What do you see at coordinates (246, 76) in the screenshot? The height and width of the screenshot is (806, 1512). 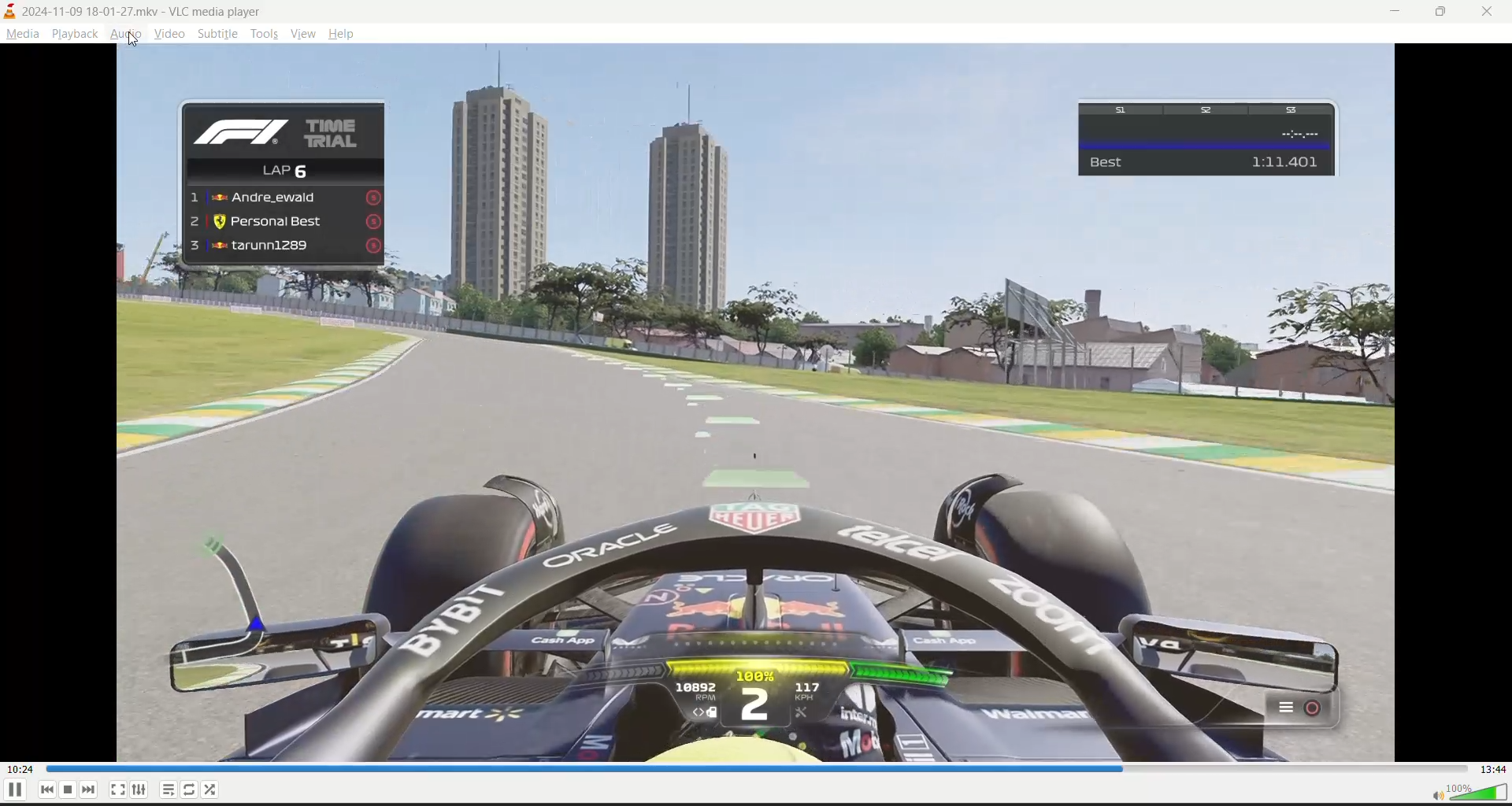 I see `preview` at bounding box center [246, 76].